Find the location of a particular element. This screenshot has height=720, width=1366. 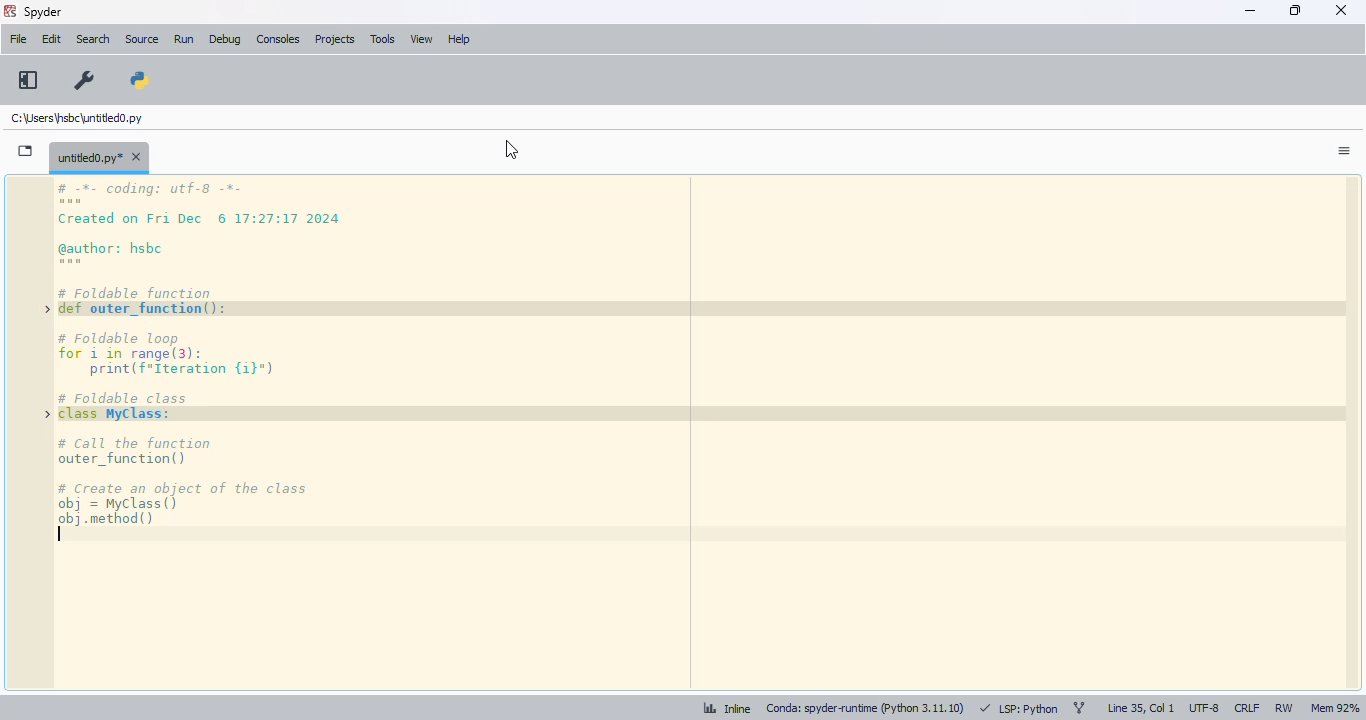

close is located at coordinates (1341, 10).